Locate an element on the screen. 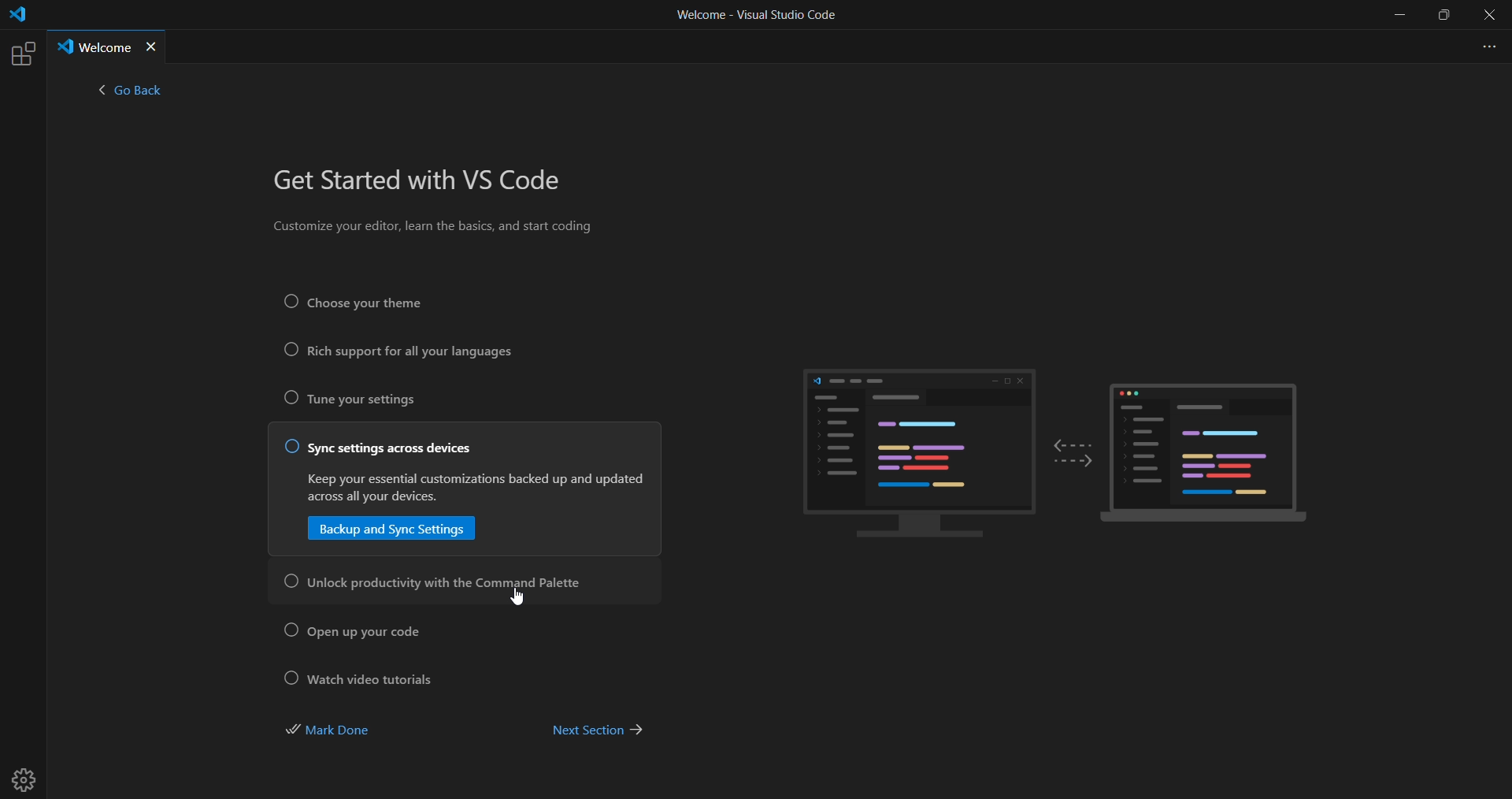  sample display laptop is located at coordinates (1217, 452).